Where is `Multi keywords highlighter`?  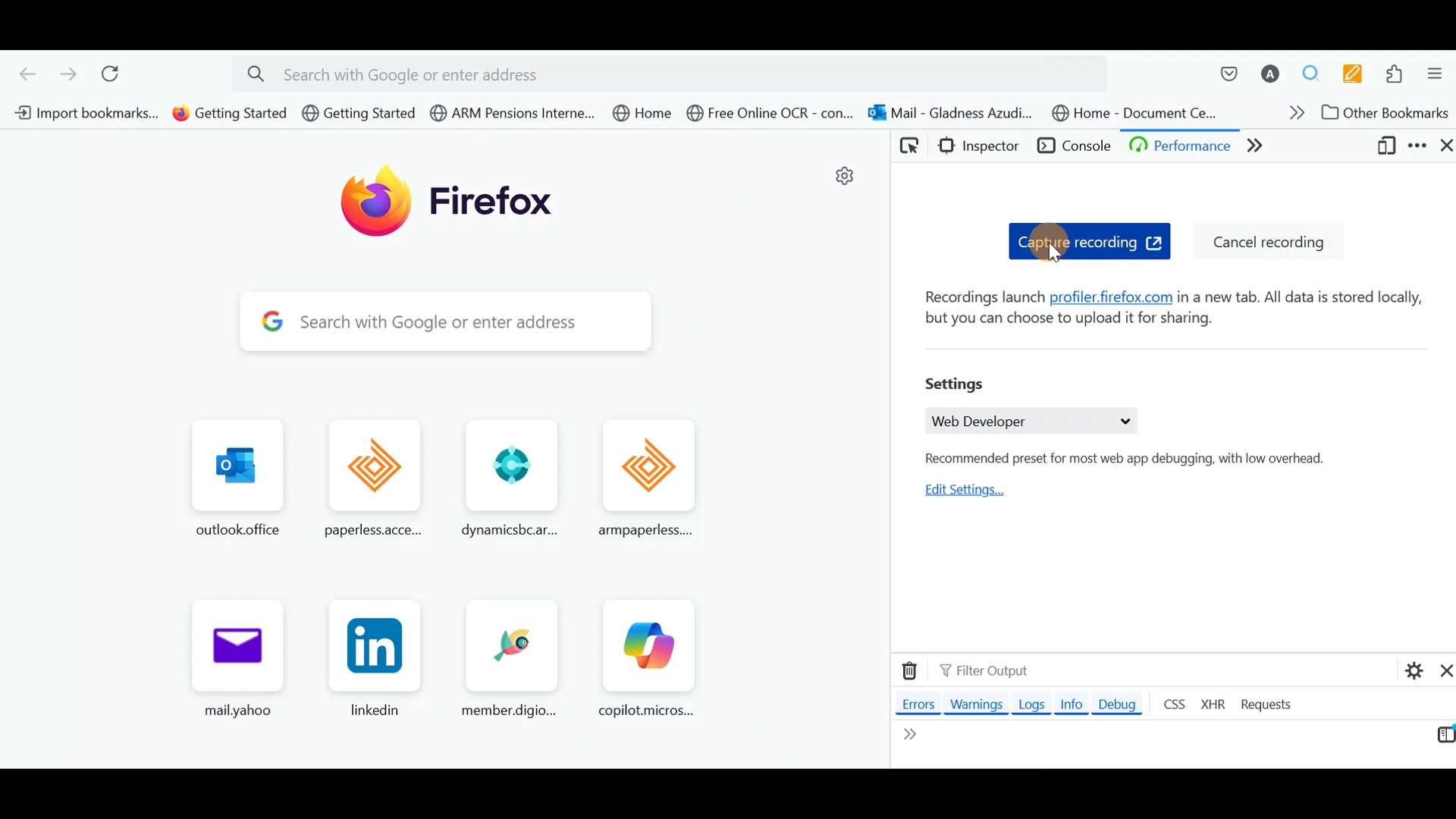
Multi keywords highlighter is located at coordinates (1357, 74).